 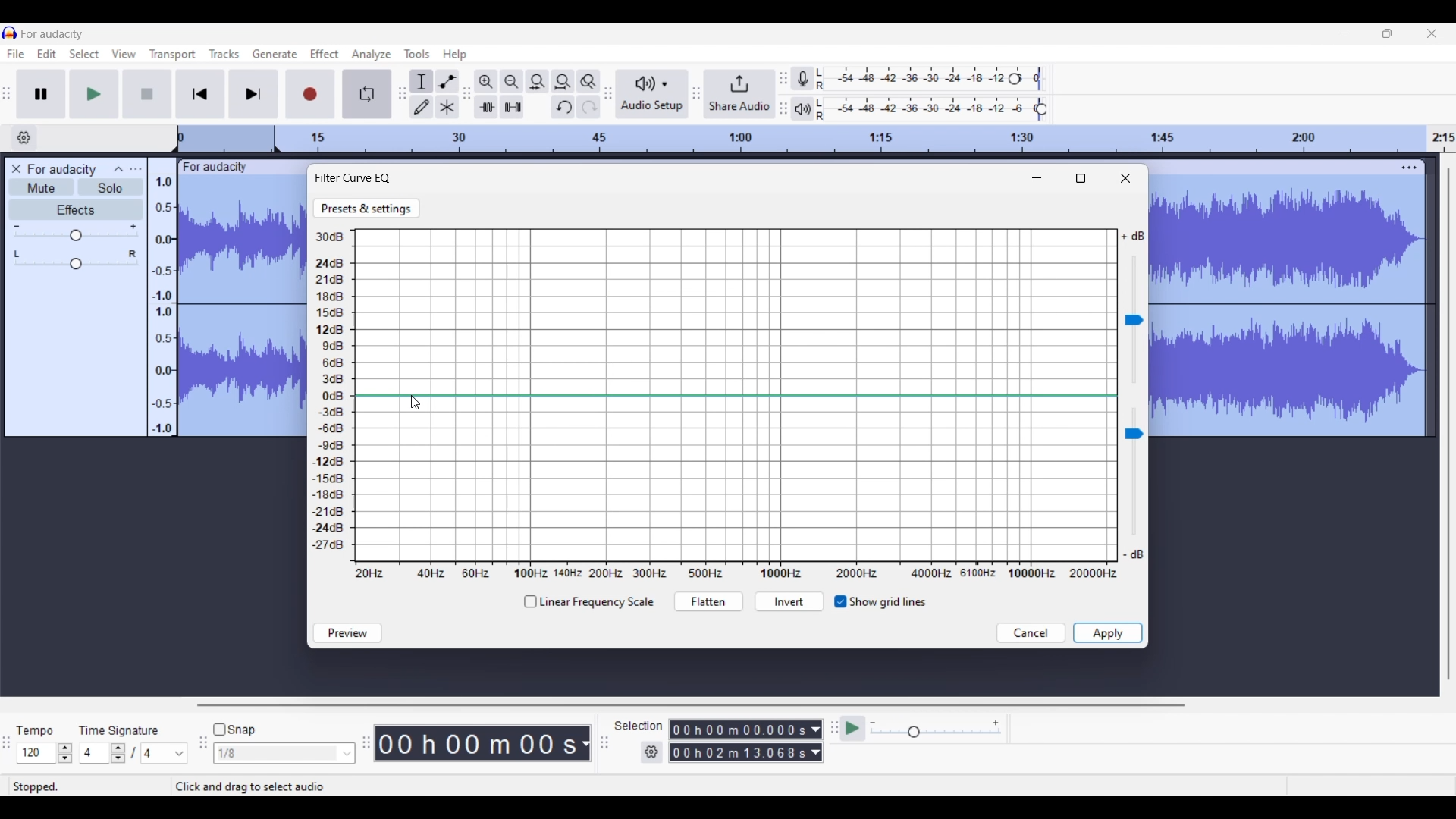 What do you see at coordinates (111, 187) in the screenshot?
I see `Solo` at bounding box center [111, 187].